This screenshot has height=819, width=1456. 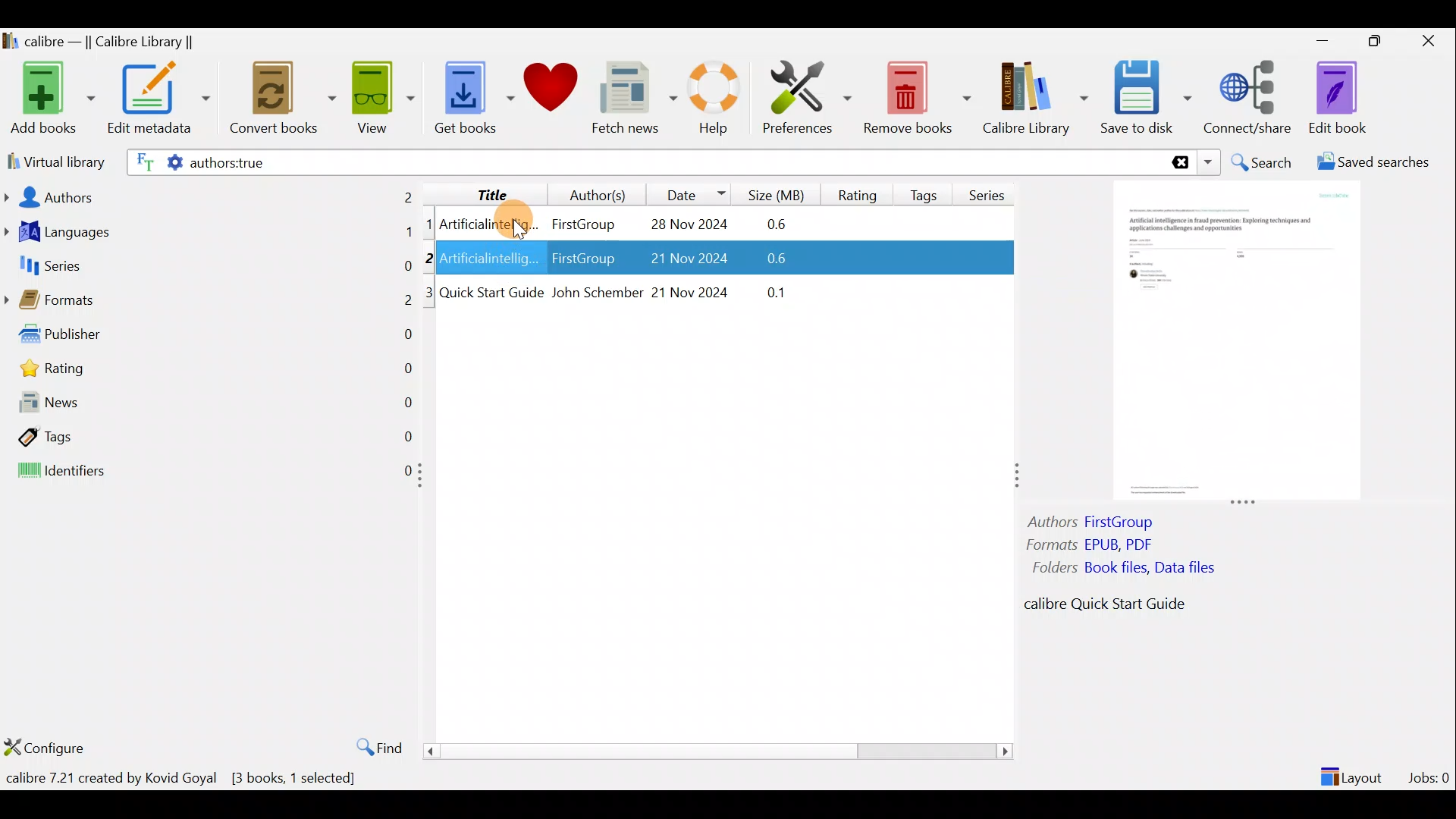 I want to click on Maximize, so click(x=1382, y=42).